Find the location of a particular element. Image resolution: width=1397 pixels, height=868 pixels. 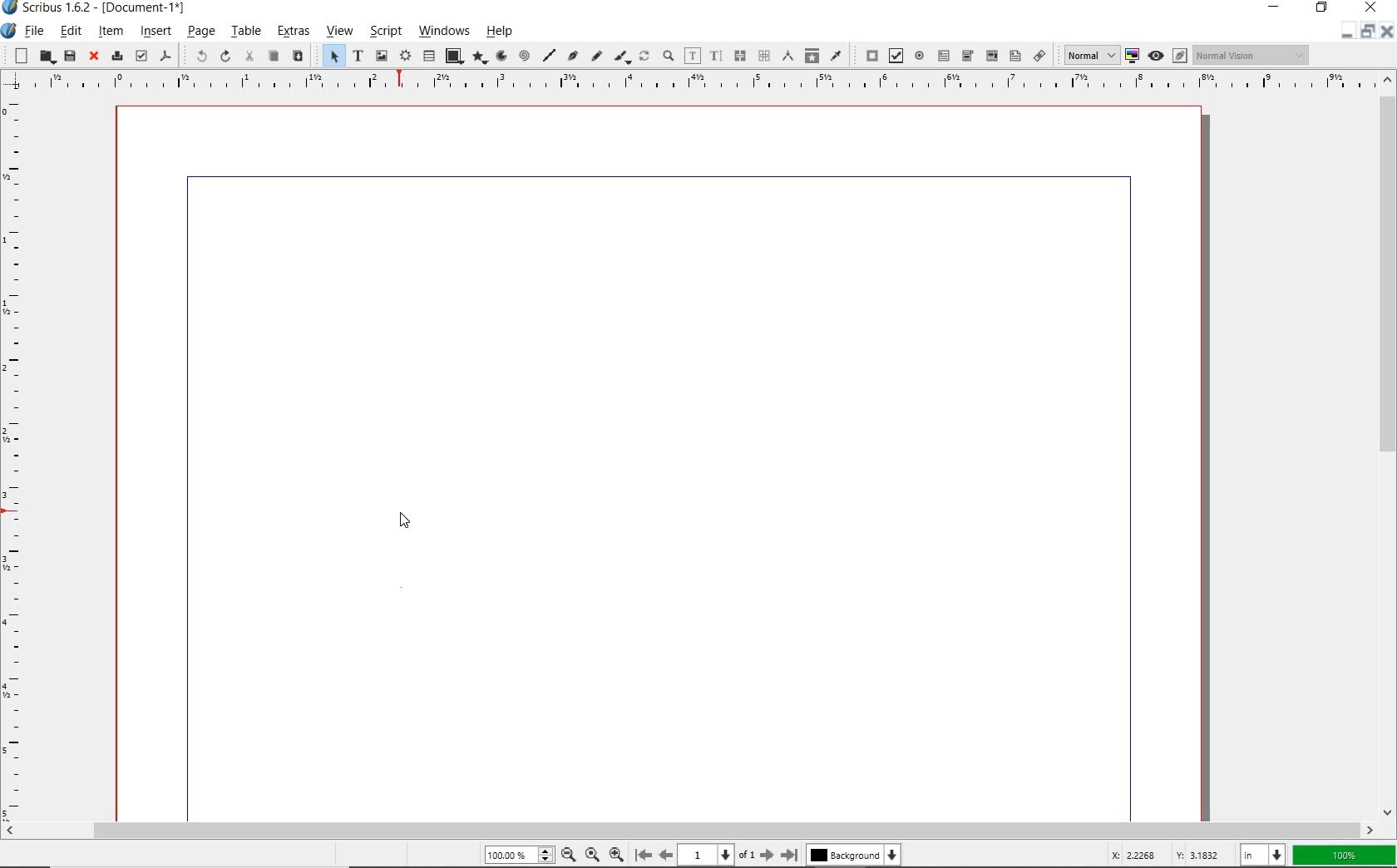

copy is located at coordinates (273, 57).